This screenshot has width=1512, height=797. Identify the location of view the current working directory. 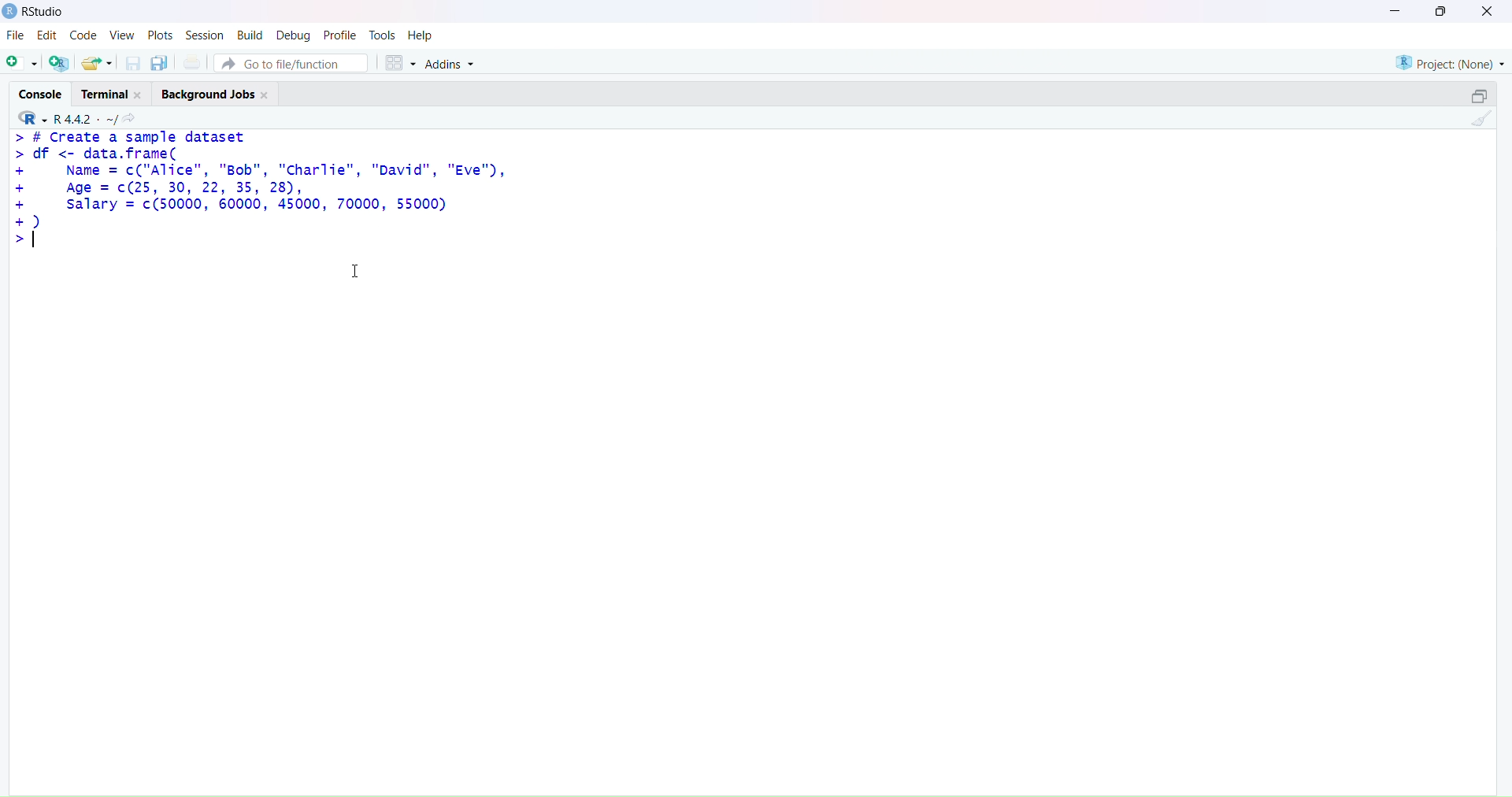
(131, 120).